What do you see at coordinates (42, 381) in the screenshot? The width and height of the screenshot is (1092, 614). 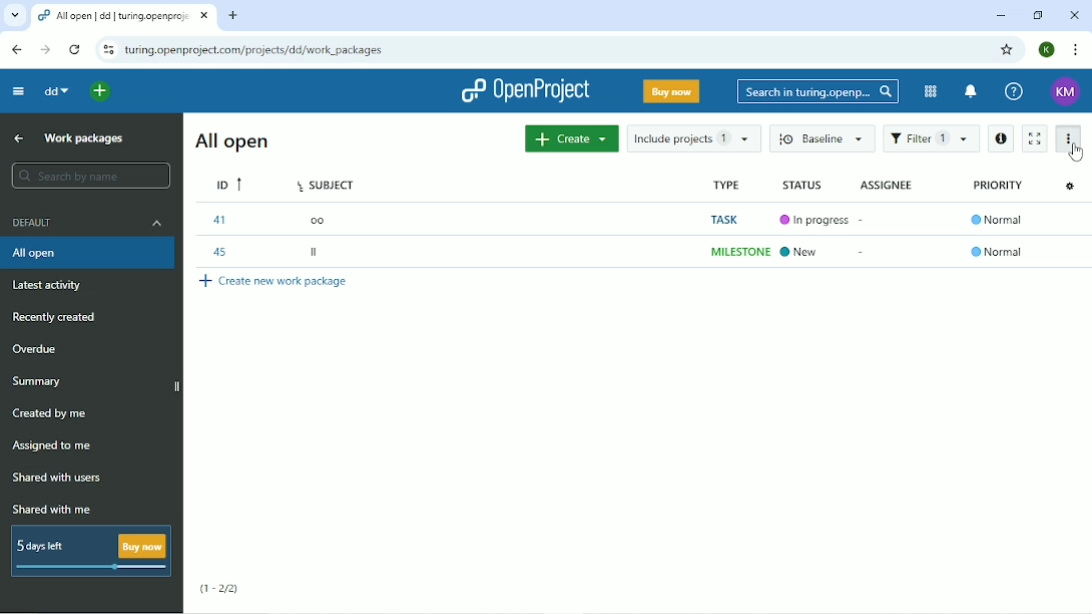 I see `Summary` at bounding box center [42, 381].